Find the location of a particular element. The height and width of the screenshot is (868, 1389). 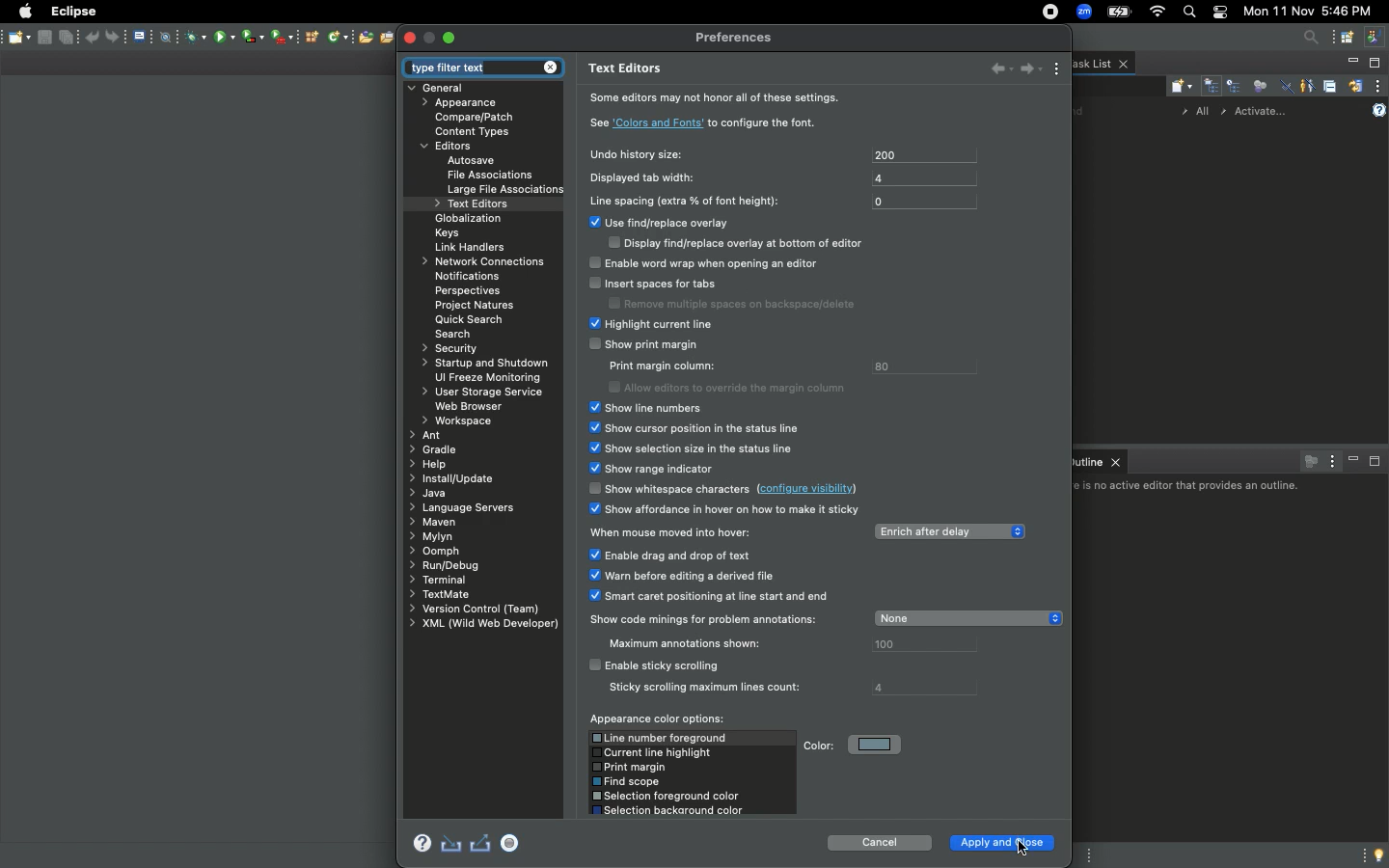

Show only my tasks is located at coordinates (1307, 86).